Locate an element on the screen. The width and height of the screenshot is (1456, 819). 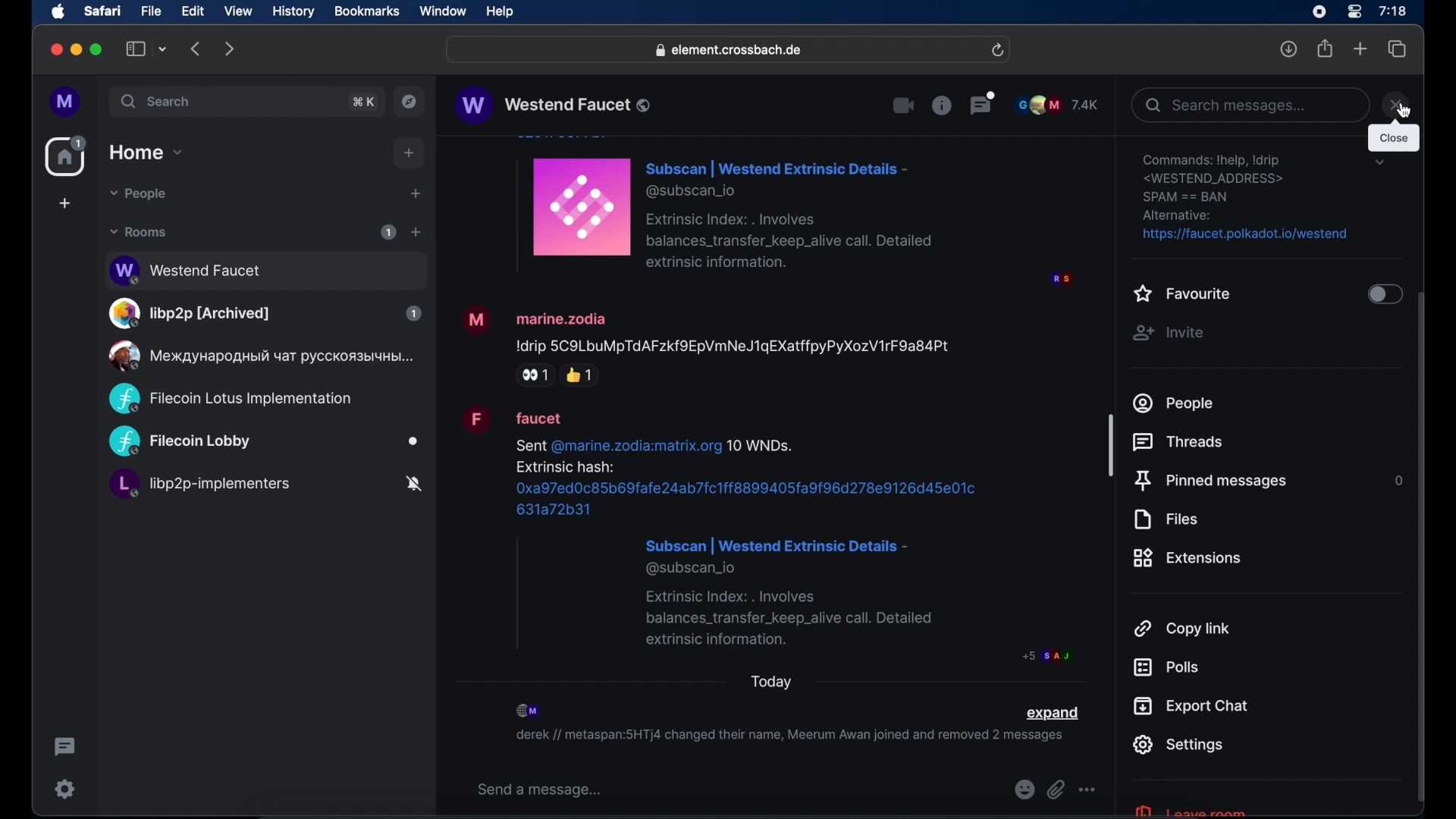
control center is located at coordinates (1353, 12).